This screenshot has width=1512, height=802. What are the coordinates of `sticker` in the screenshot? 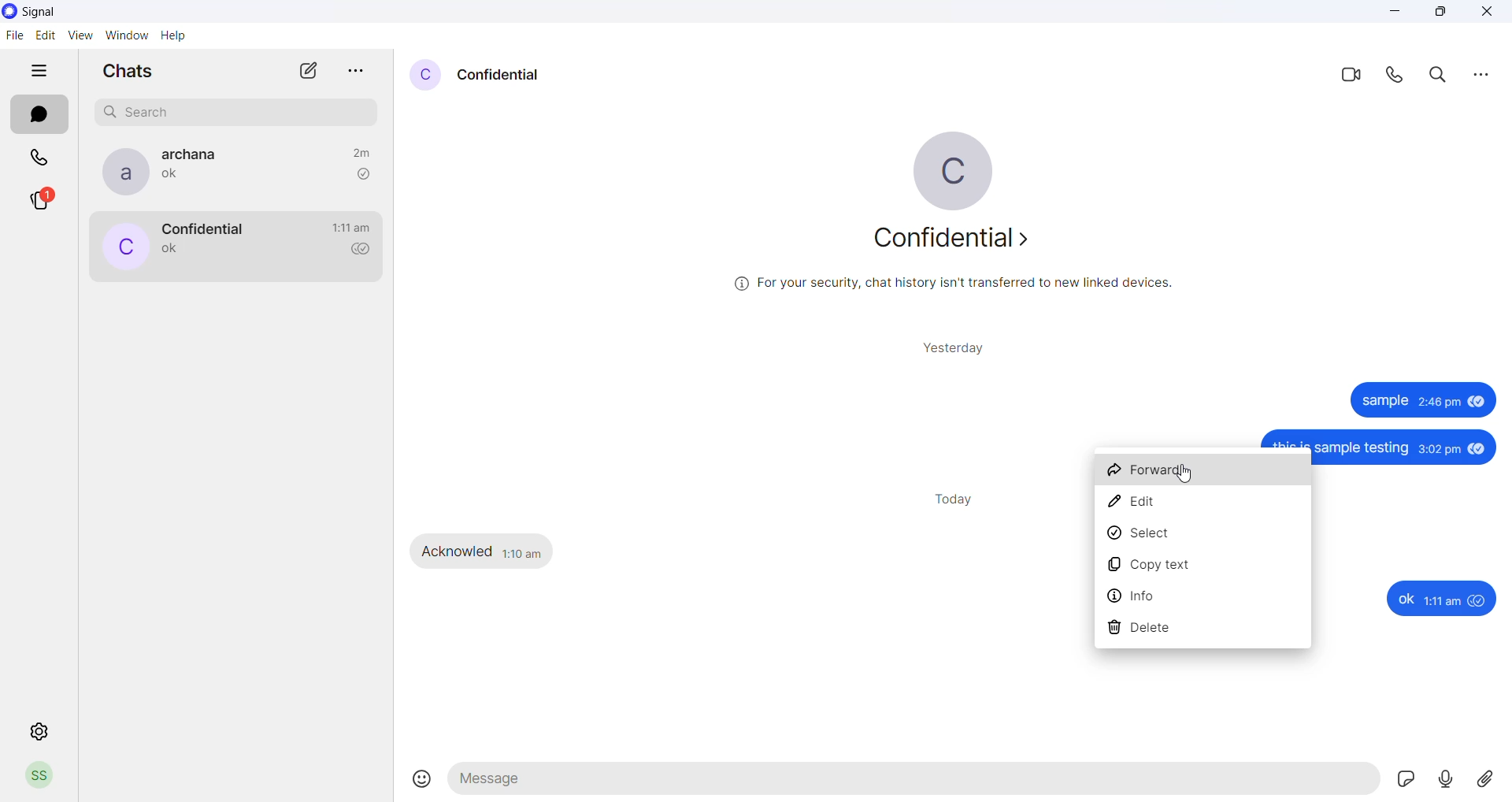 It's located at (1410, 782).